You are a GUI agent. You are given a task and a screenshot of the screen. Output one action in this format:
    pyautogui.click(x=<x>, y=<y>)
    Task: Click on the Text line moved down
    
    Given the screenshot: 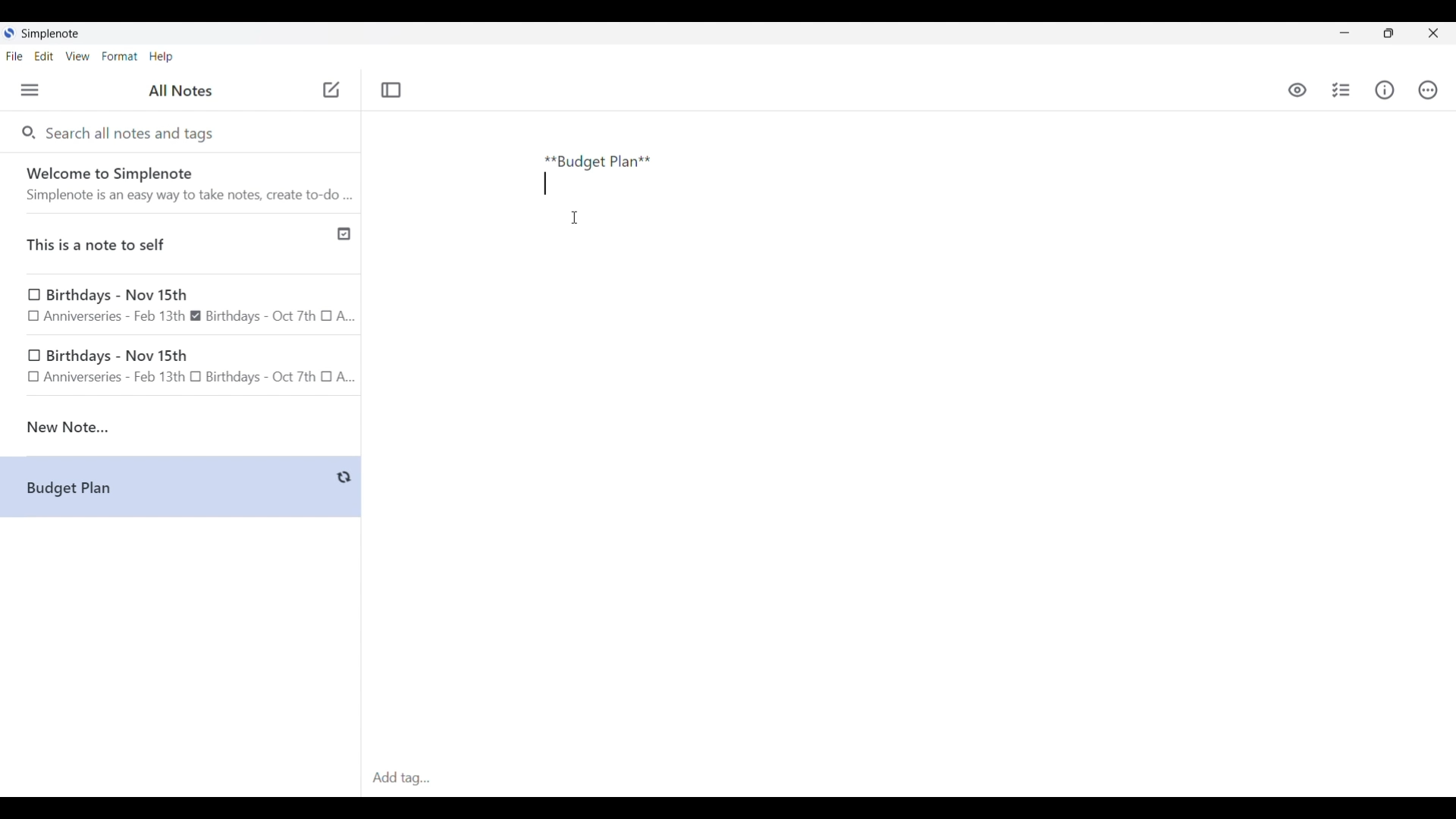 What is the action you would take?
    pyautogui.click(x=545, y=184)
    